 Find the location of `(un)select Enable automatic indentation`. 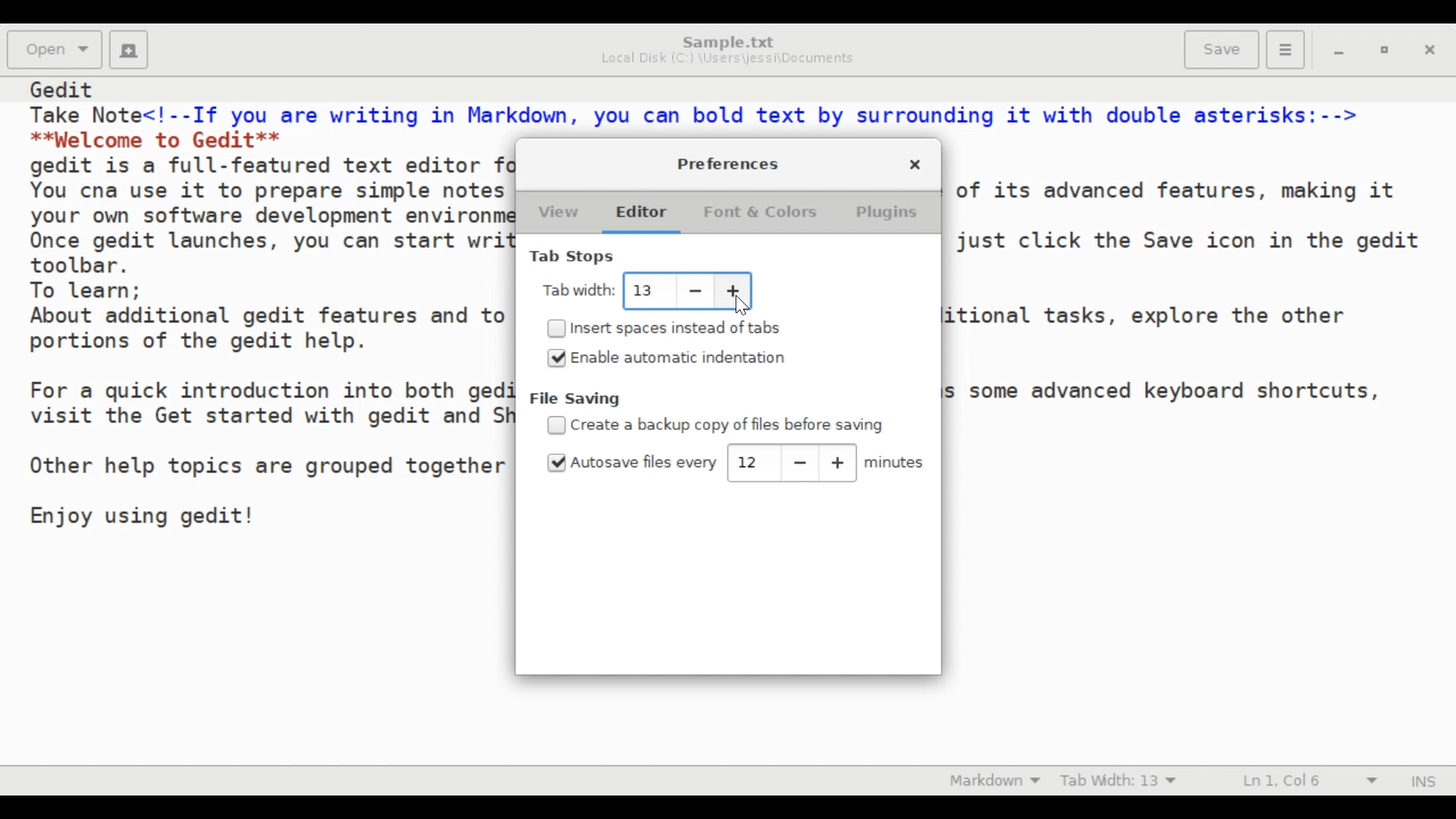

(un)select Enable automatic indentation is located at coordinates (665, 359).